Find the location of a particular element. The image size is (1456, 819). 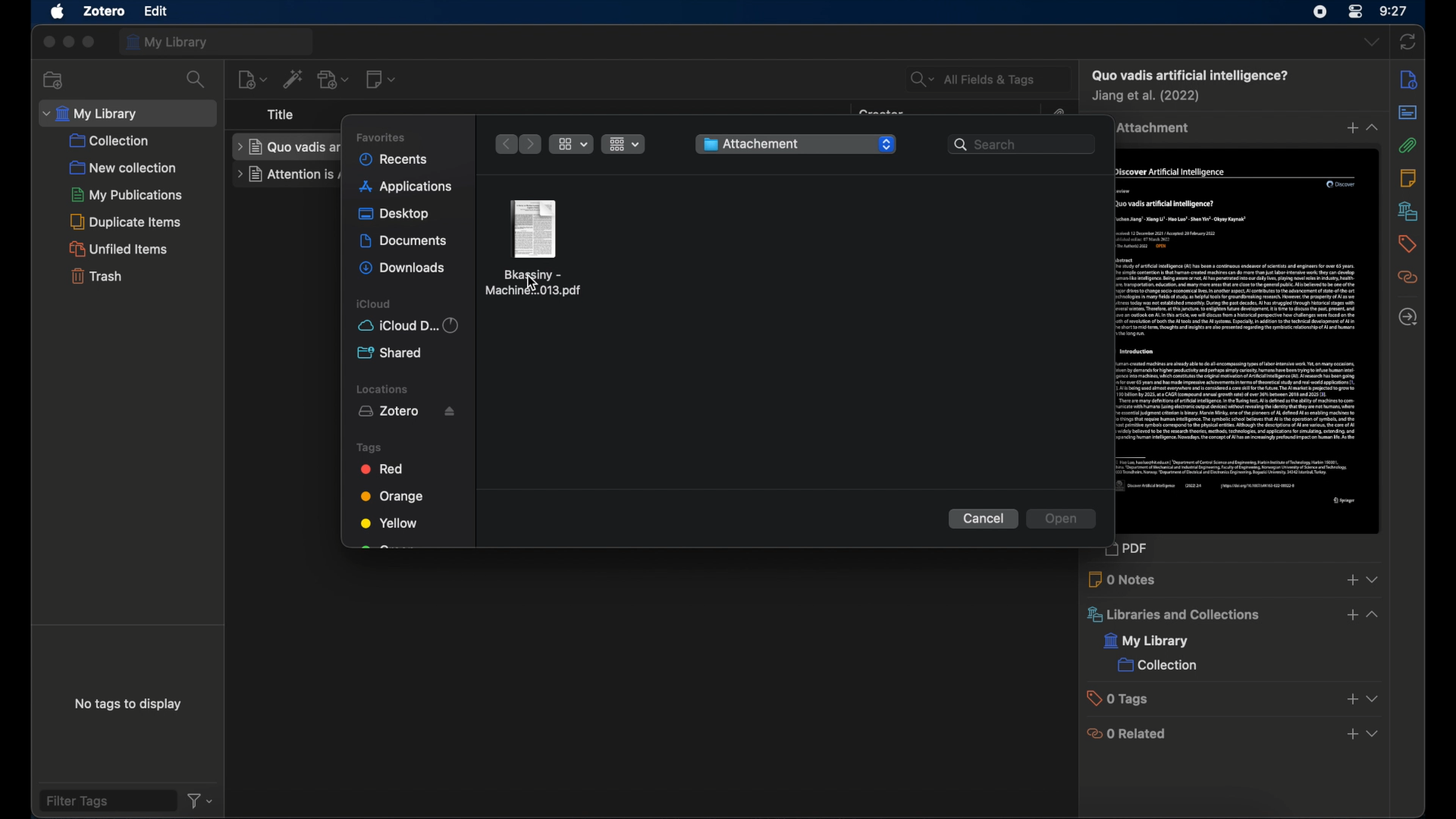

1 attachment is located at coordinates (1155, 128).